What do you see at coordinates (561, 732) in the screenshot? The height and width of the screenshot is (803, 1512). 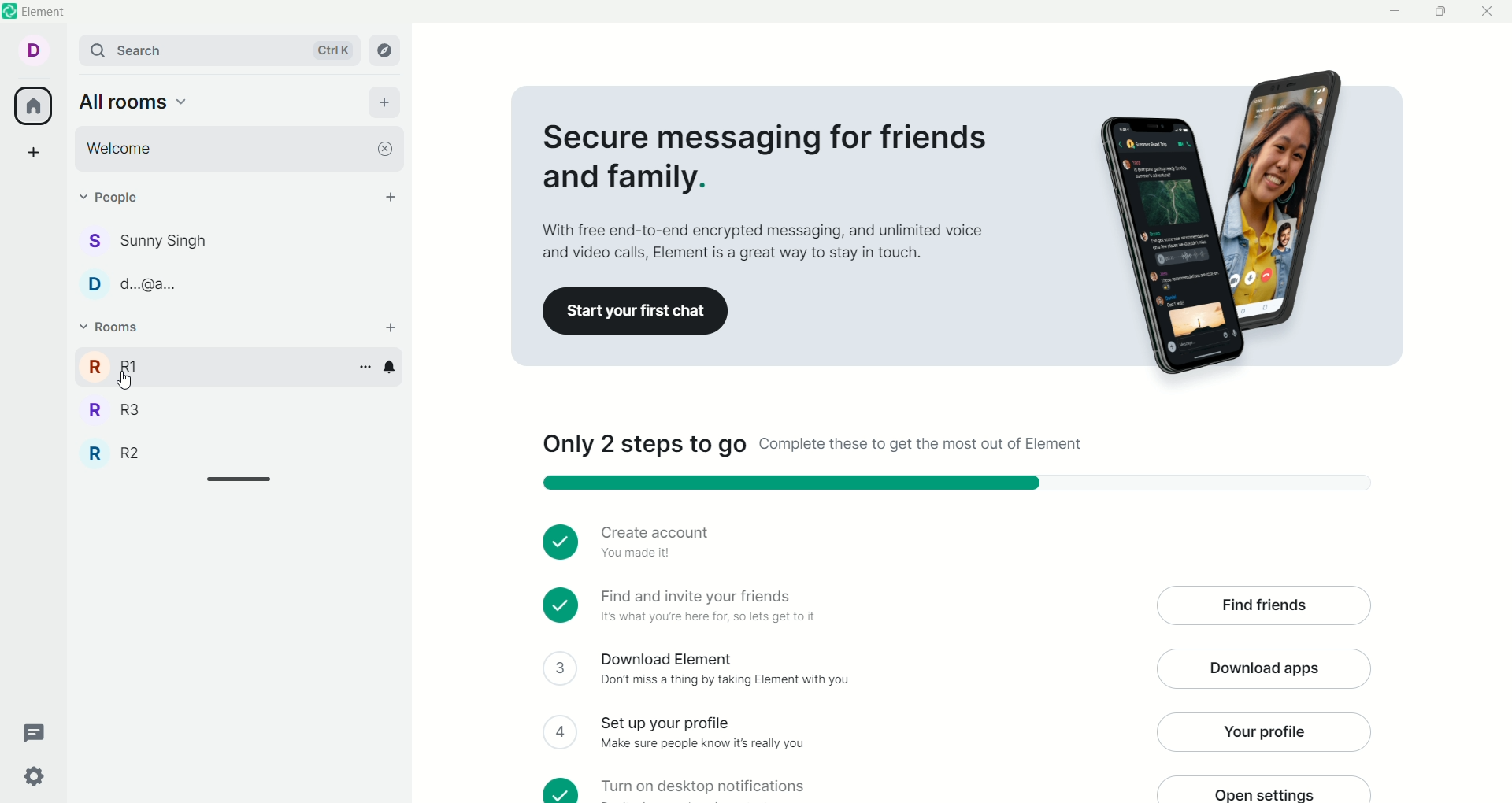 I see `Indicates step is yet to be done` at bounding box center [561, 732].